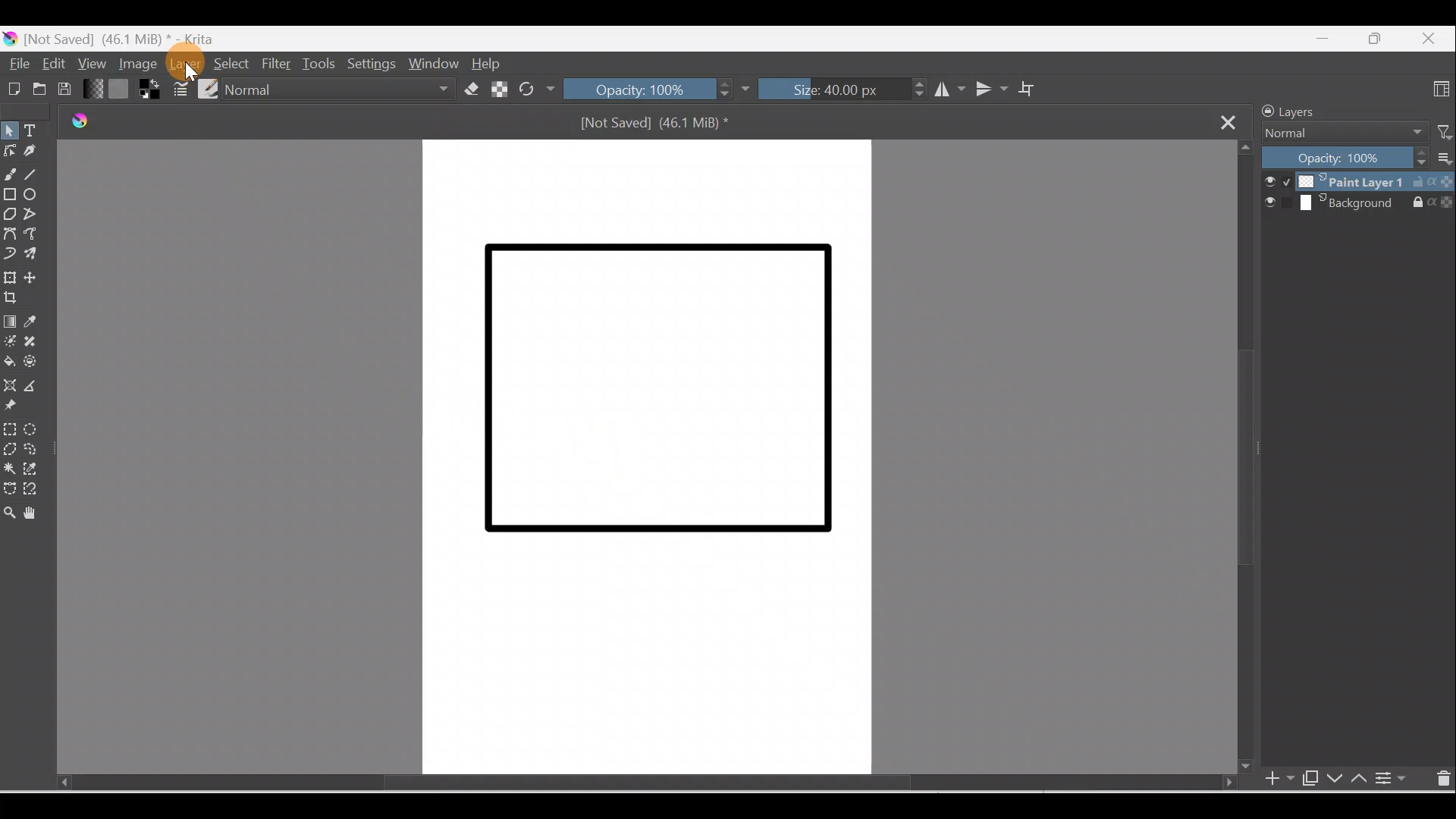 The height and width of the screenshot is (819, 1456). Describe the element at coordinates (1314, 110) in the screenshot. I see `Layers` at that location.